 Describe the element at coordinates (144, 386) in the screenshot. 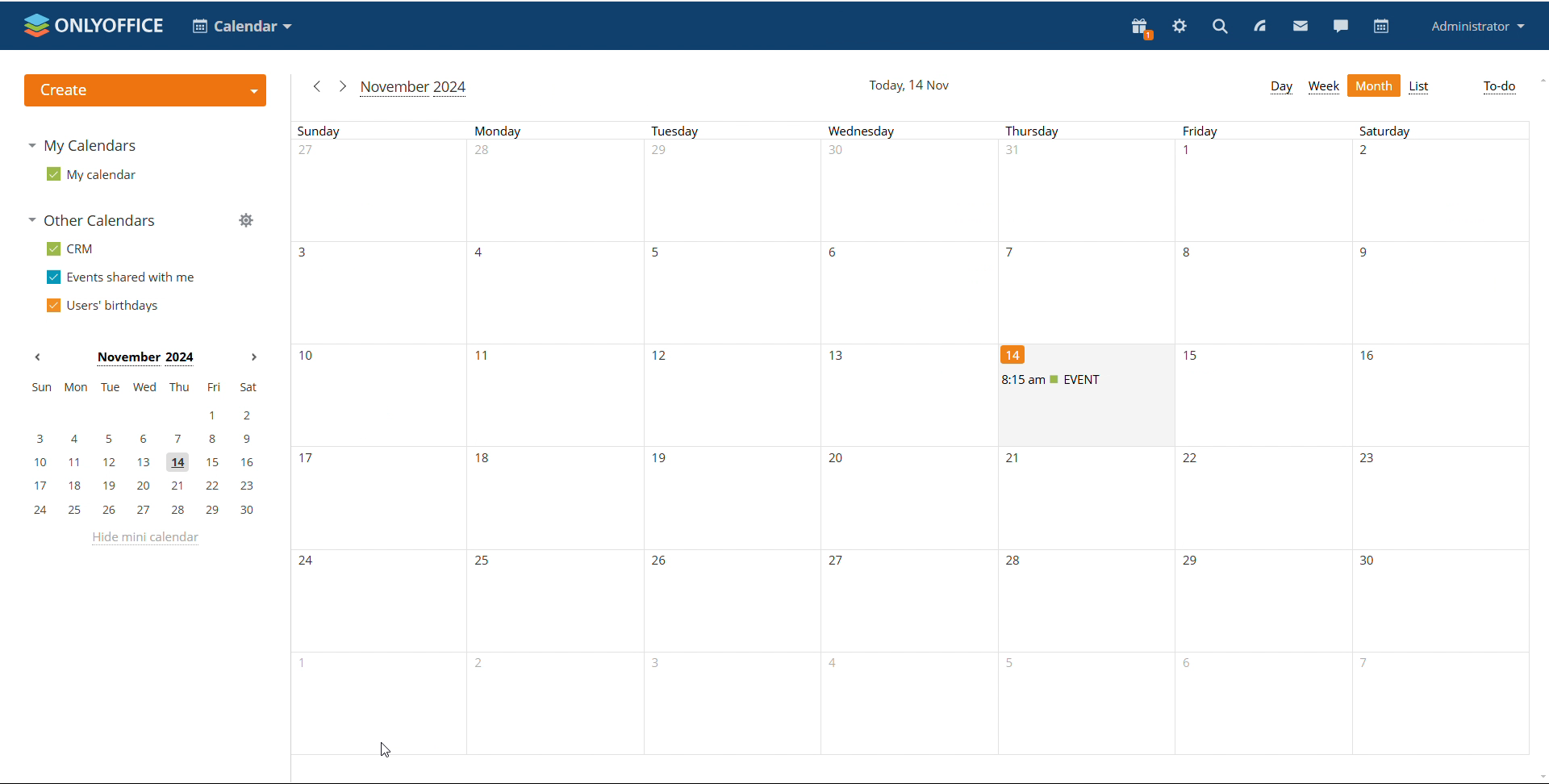

I see `mon, tue, wed, thu, fri, sat, sun` at that location.